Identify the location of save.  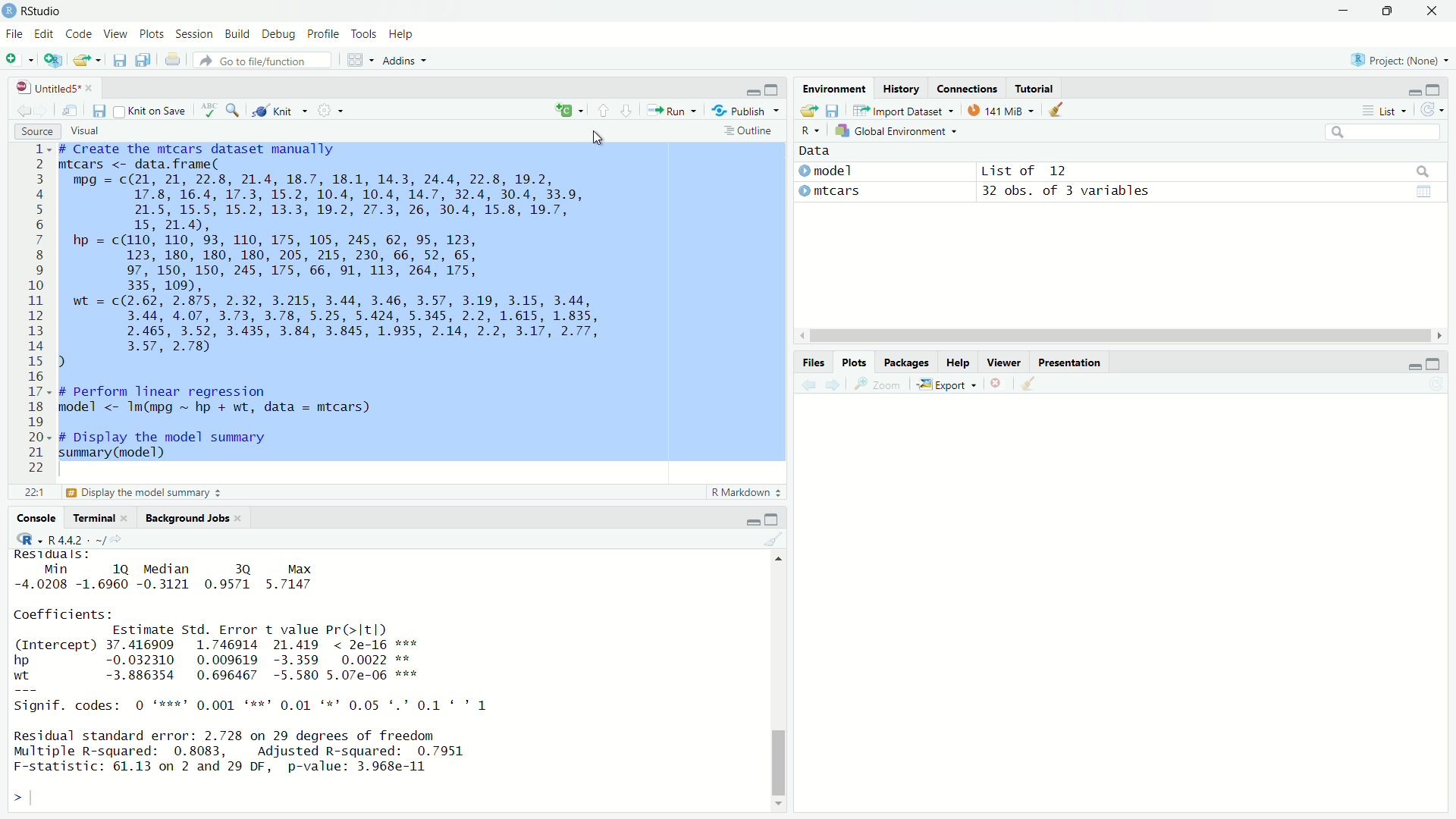
(99, 111).